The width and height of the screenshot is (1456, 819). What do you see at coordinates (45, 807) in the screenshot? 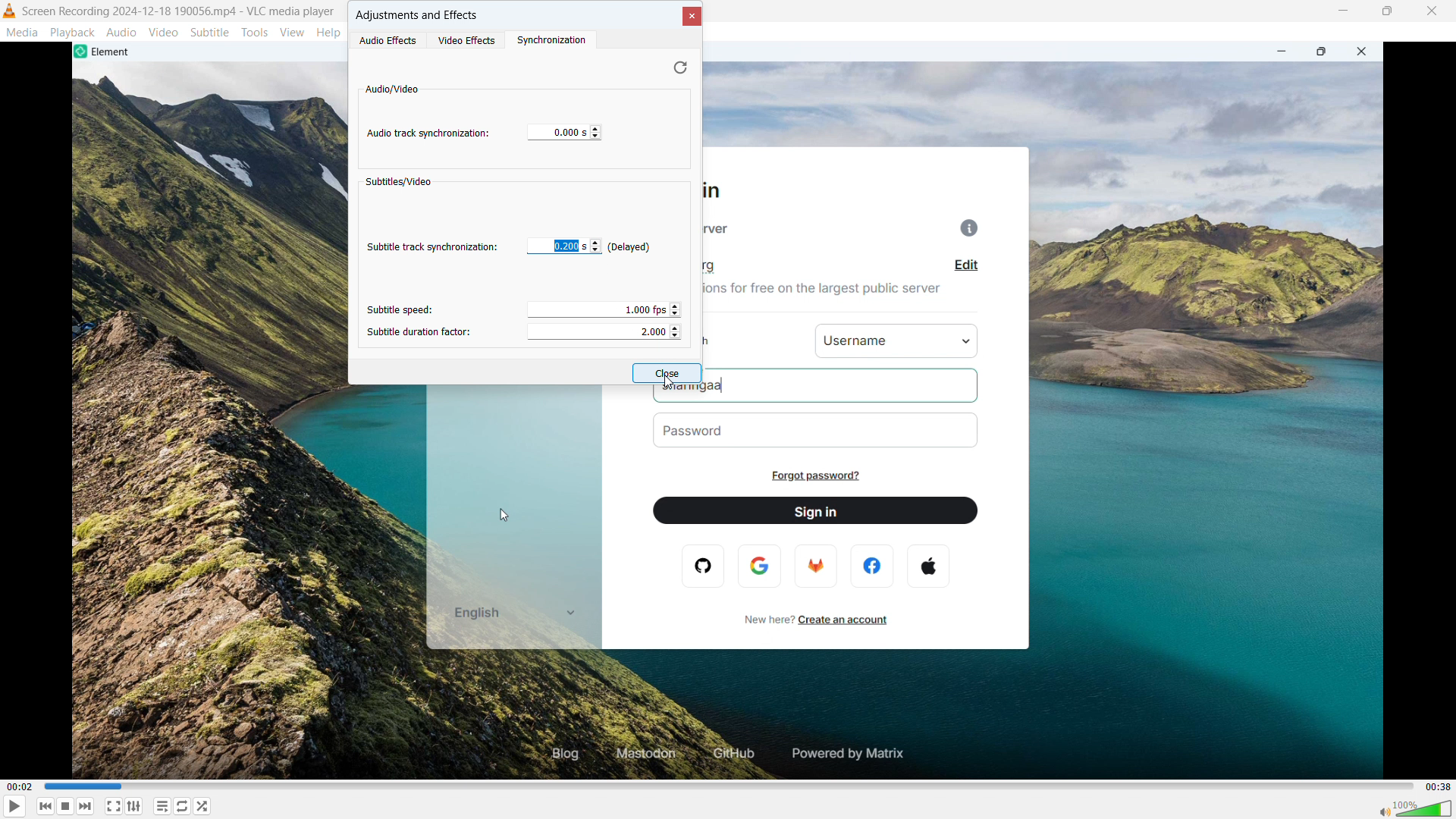
I see `backward or previous media` at bounding box center [45, 807].